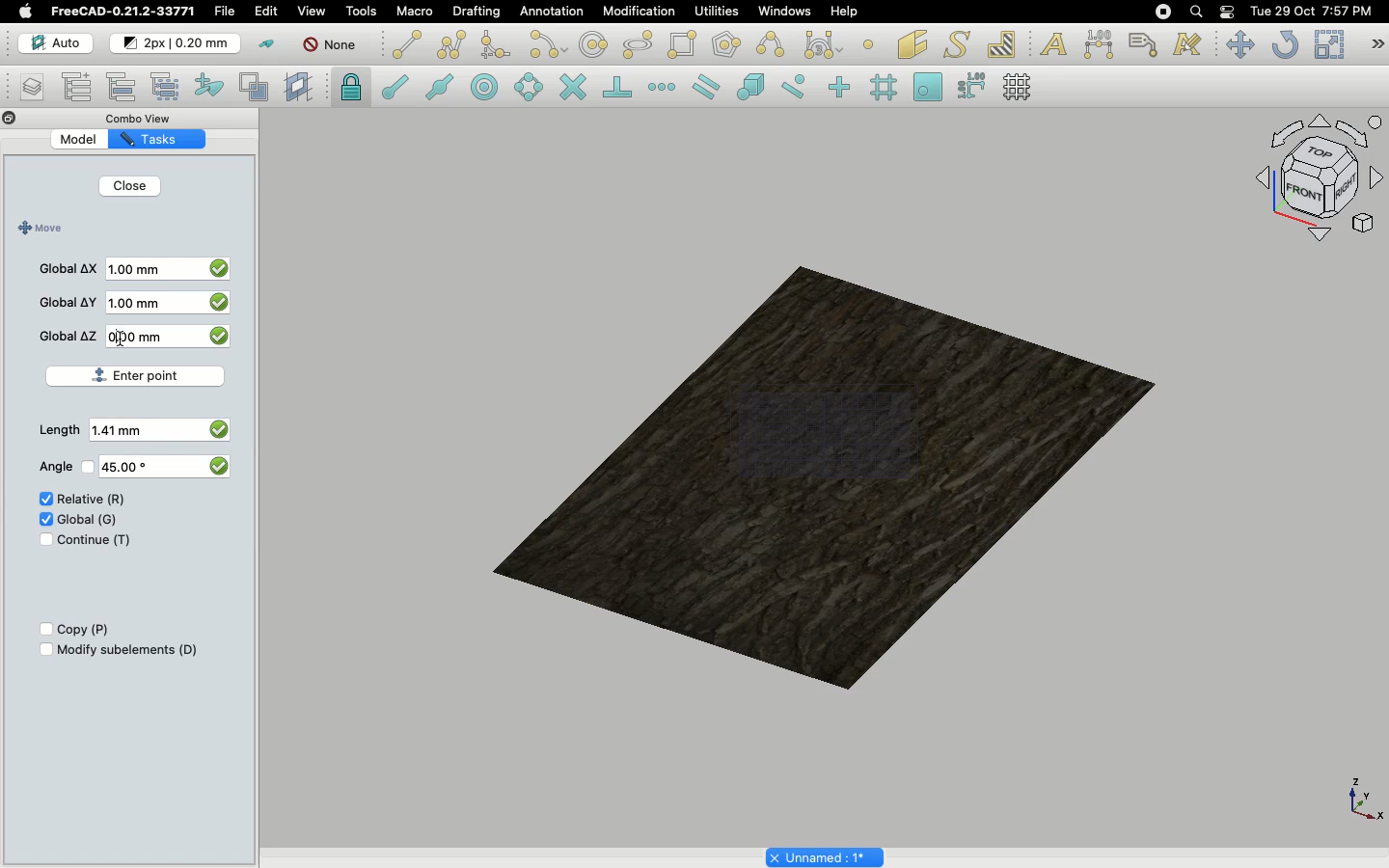 The width and height of the screenshot is (1389, 868). What do you see at coordinates (639, 45) in the screenshot?
I see `polygon` at bounding box center [639, 45].